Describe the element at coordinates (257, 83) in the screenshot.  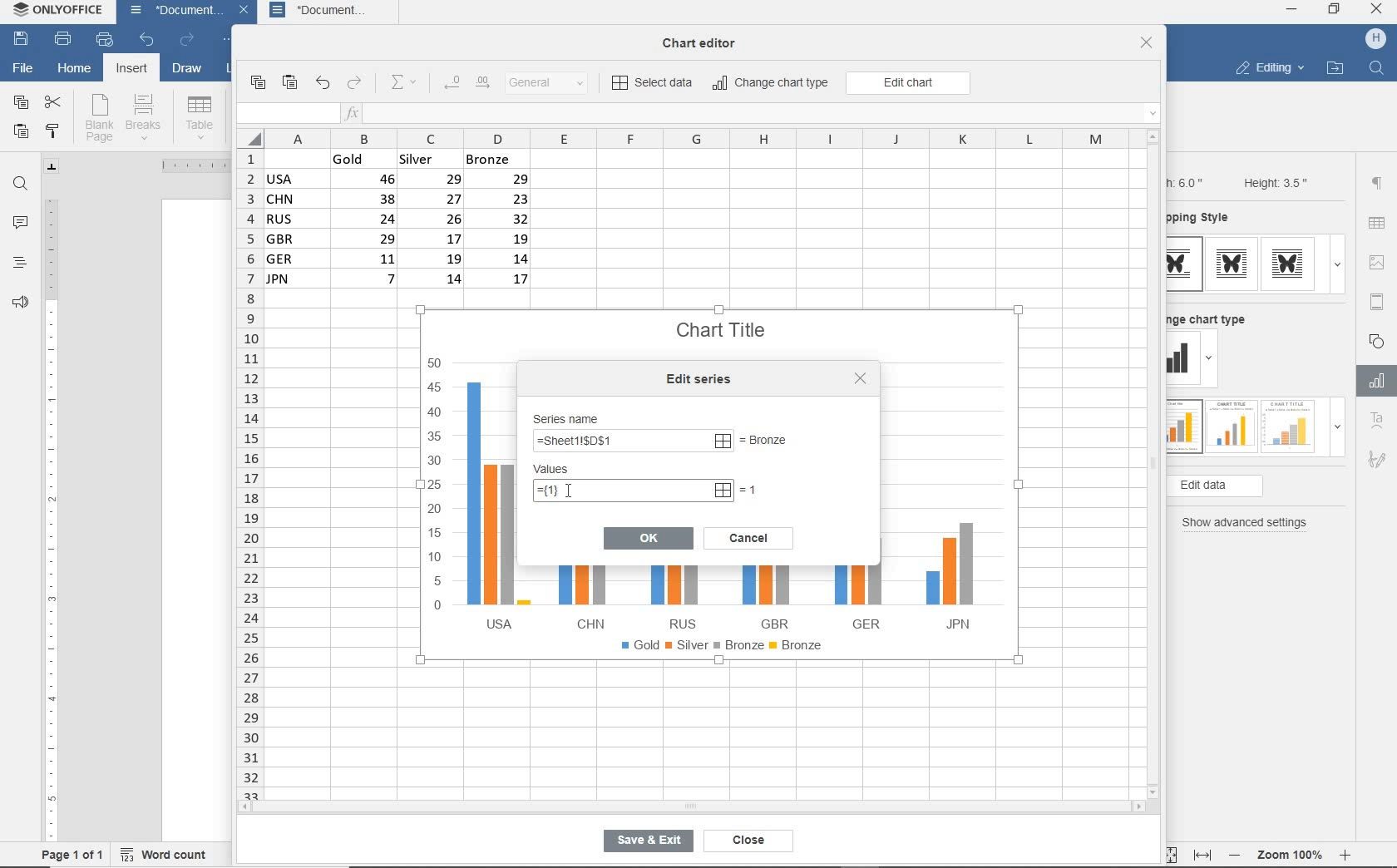
I see `copy` at that location.